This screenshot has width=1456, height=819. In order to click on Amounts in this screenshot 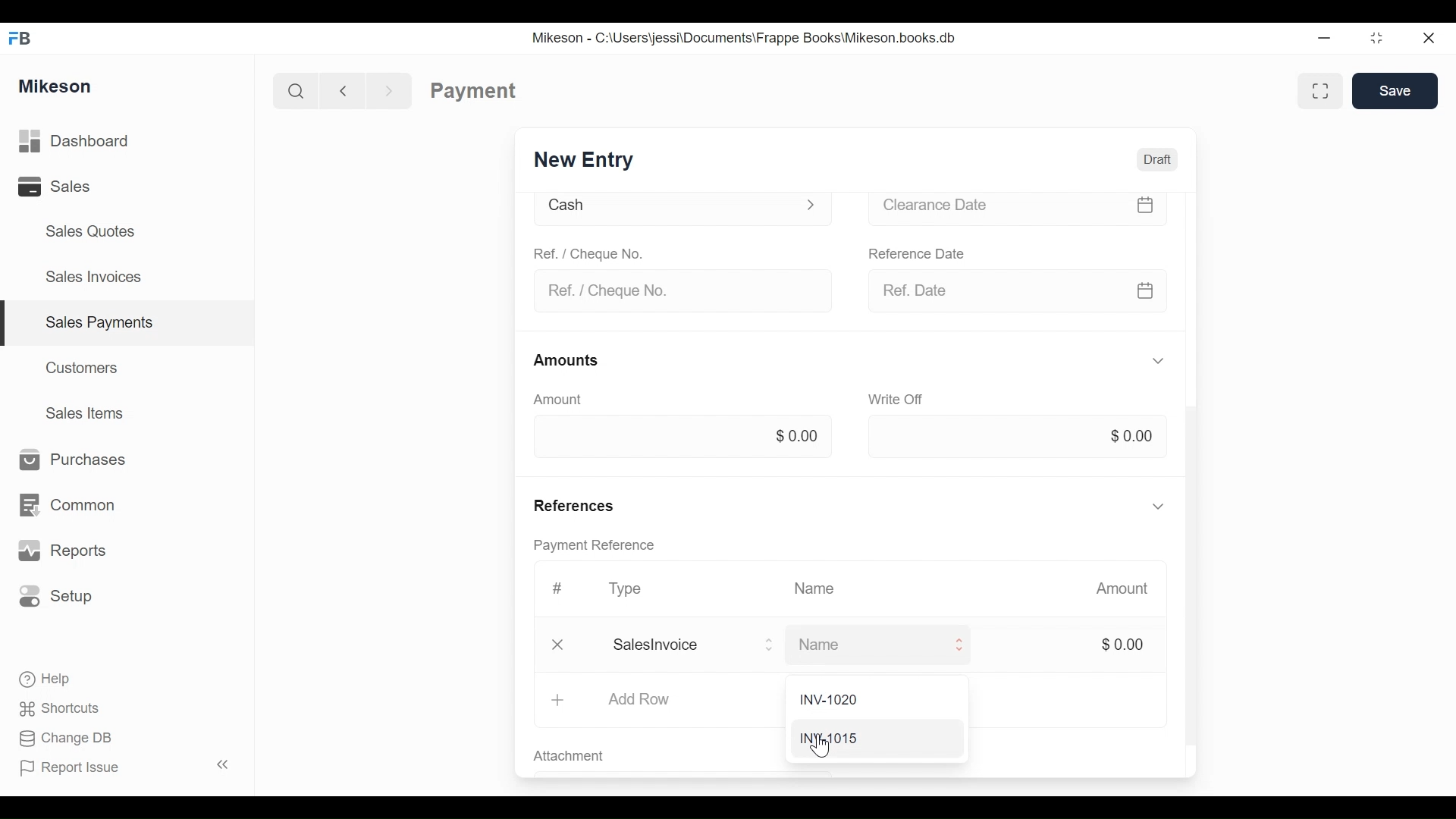, I will do `click(566, 360)`.